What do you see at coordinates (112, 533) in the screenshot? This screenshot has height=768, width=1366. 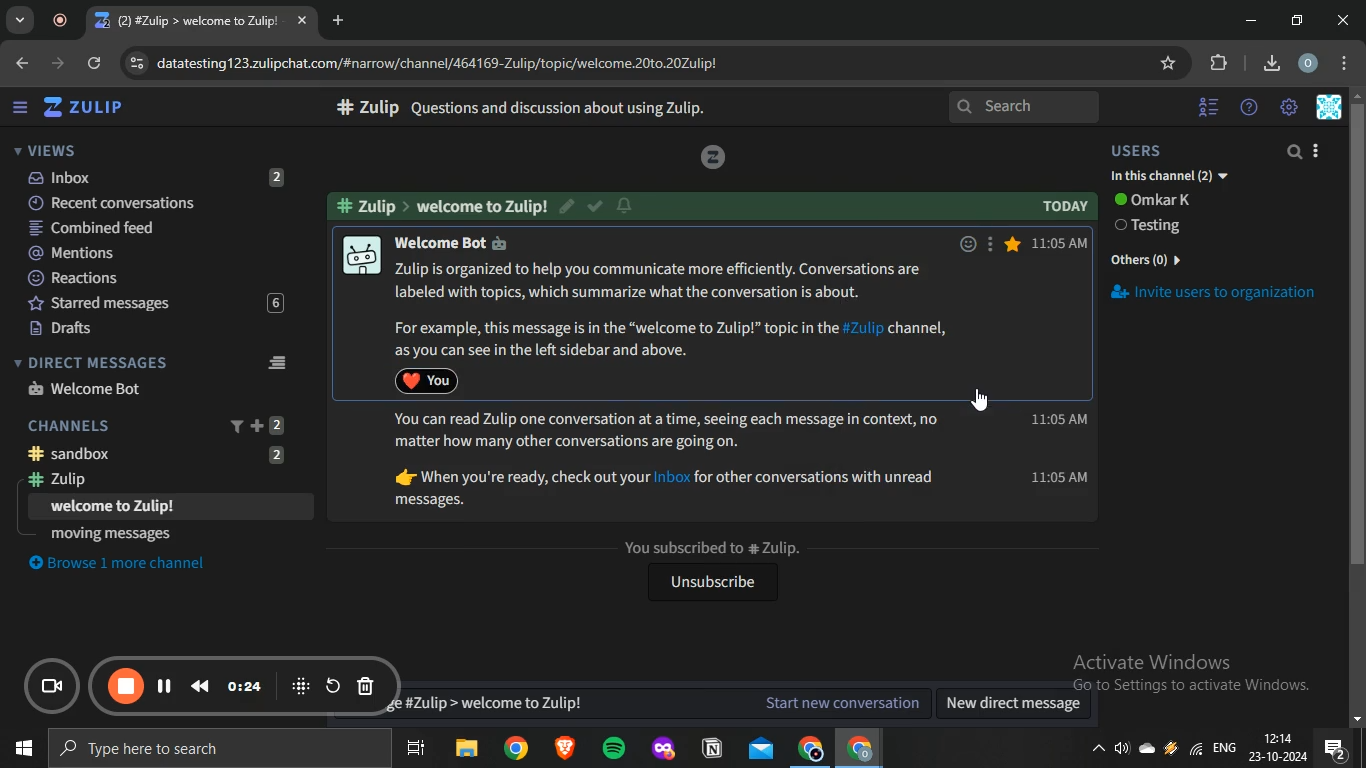 I see `moving messages` at bounding box center [112, 533].